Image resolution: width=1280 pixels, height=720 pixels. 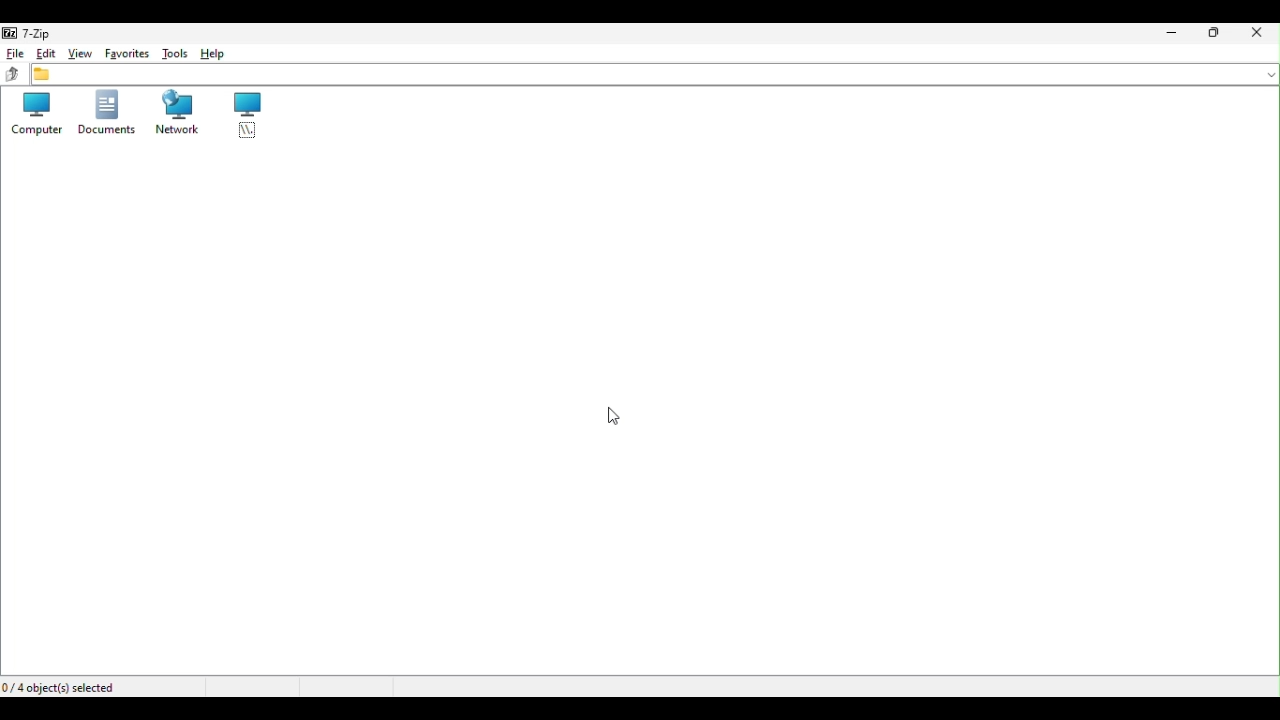 What do you see at coordinates (46, 52) in the screenshot?
I see `Edit` at bounding box center [46, 52].